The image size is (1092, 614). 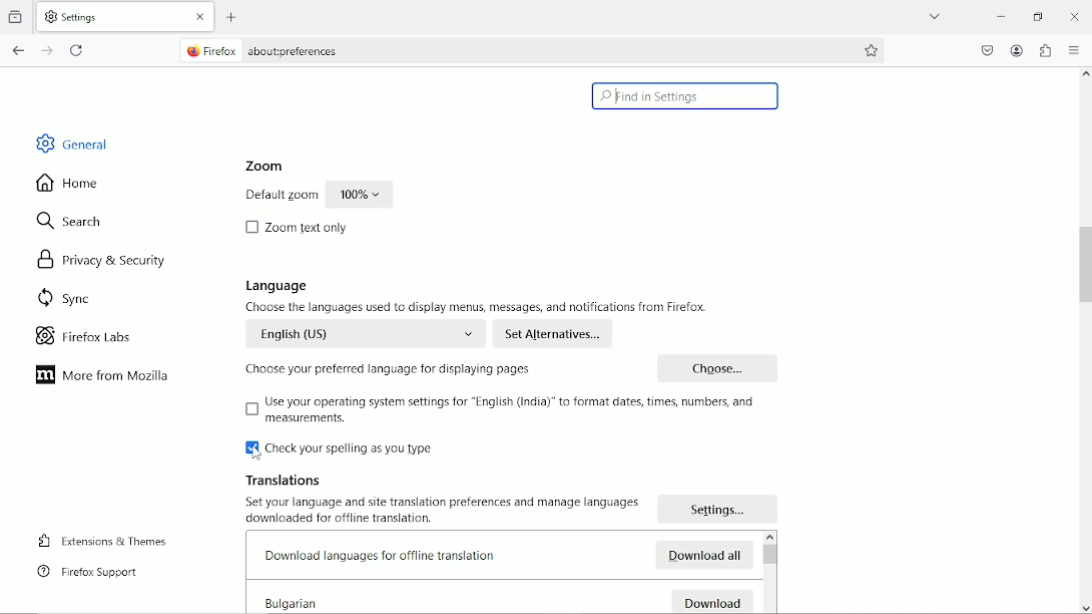 I want to click on Settings, so click(x=724, y=510).